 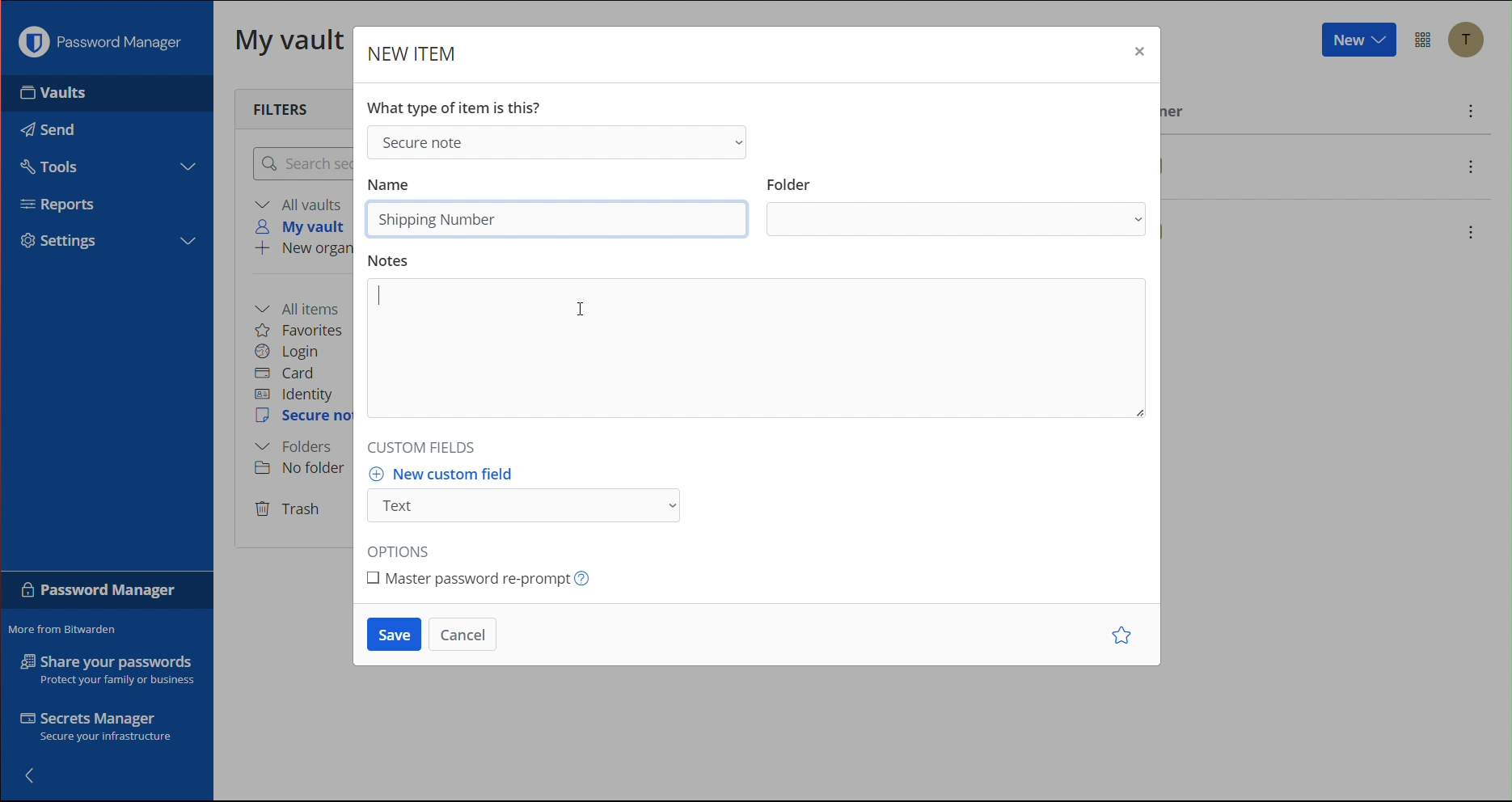 What do you see at coordinates (291, 44) in the screenshot?
I see `My vault` at bounding box center [291, 44].